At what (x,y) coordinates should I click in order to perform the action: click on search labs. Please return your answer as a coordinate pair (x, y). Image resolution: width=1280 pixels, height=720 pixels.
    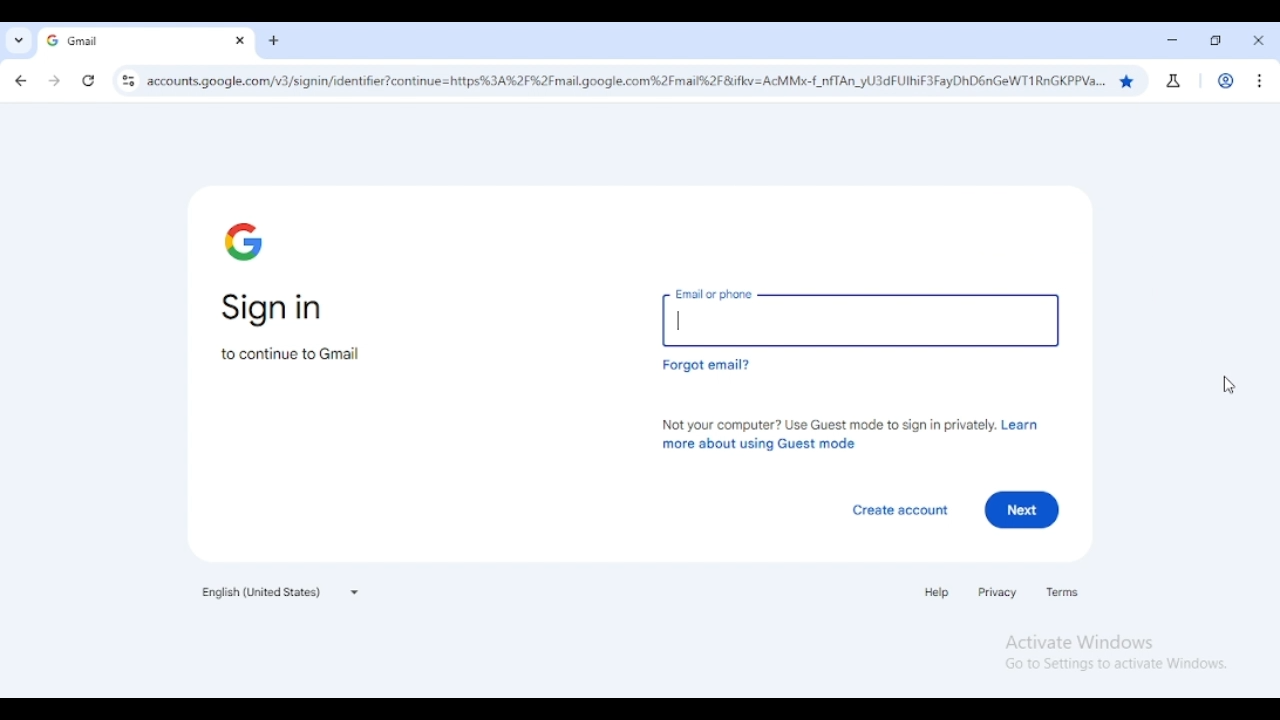
    Looking at the image, I should click on (1174, 81).